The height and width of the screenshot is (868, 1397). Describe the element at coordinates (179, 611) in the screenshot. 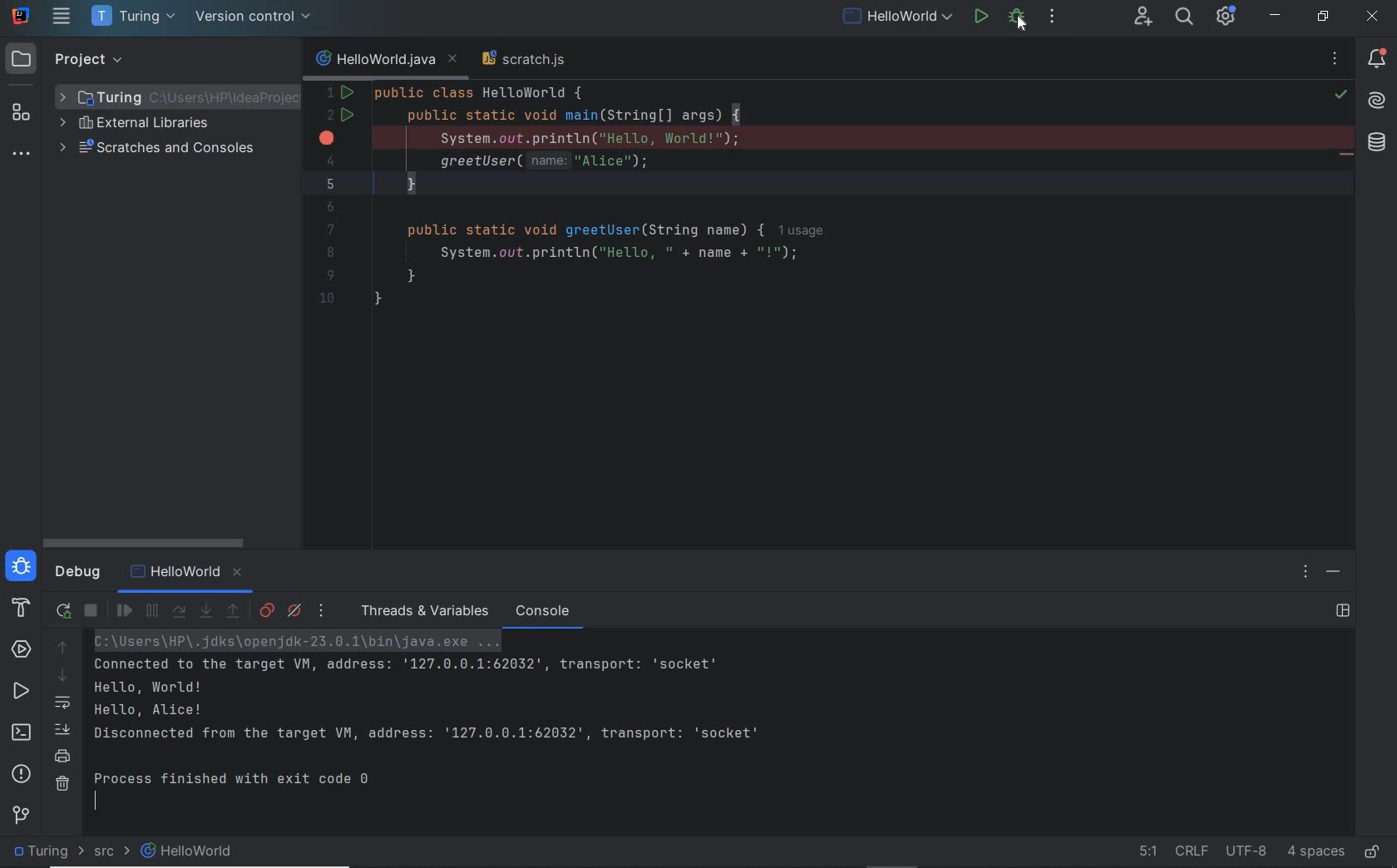

I see `step over` at that location.